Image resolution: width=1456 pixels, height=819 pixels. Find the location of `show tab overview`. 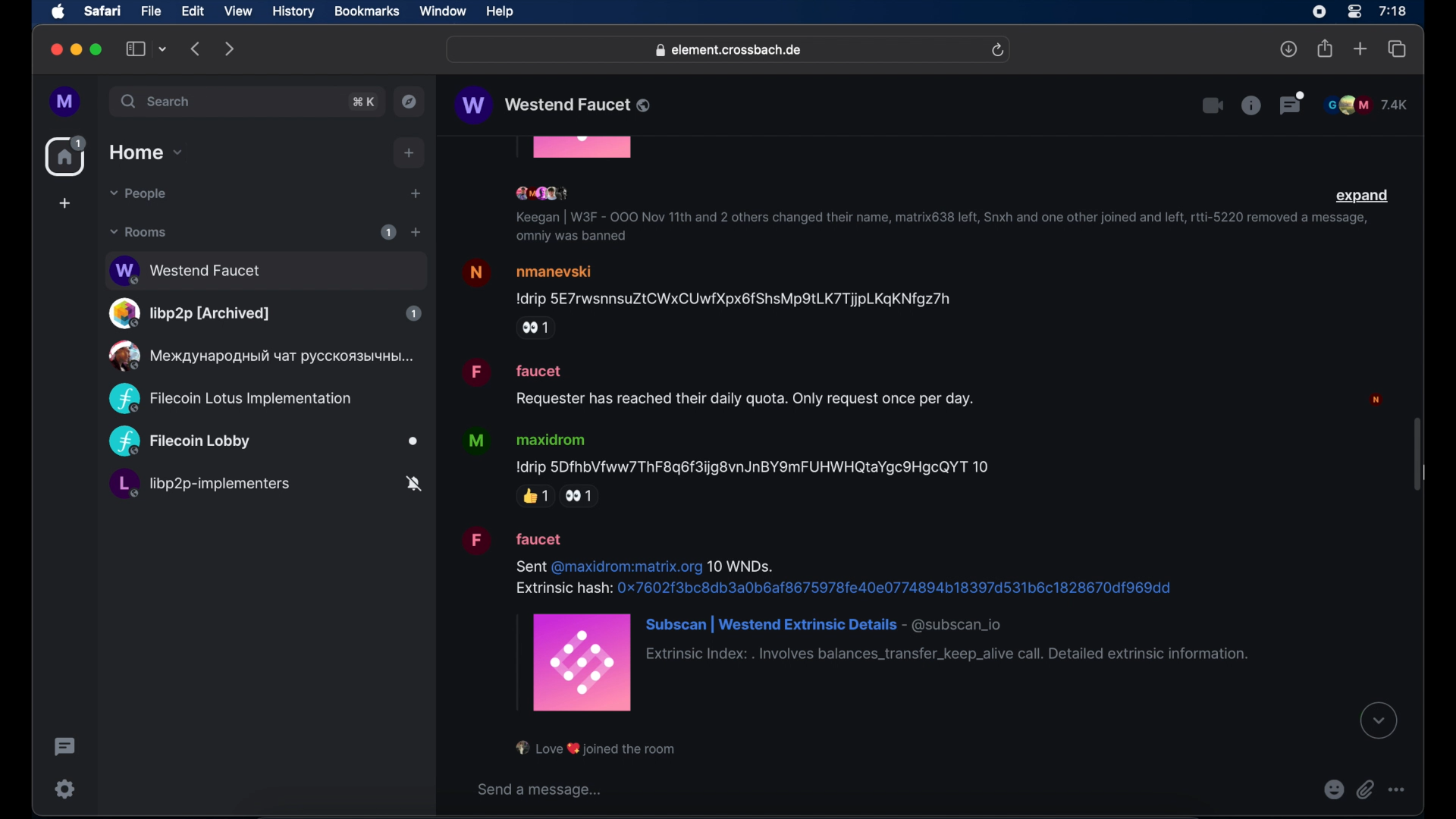

show tab overview is located at coordinates (1398, 49).